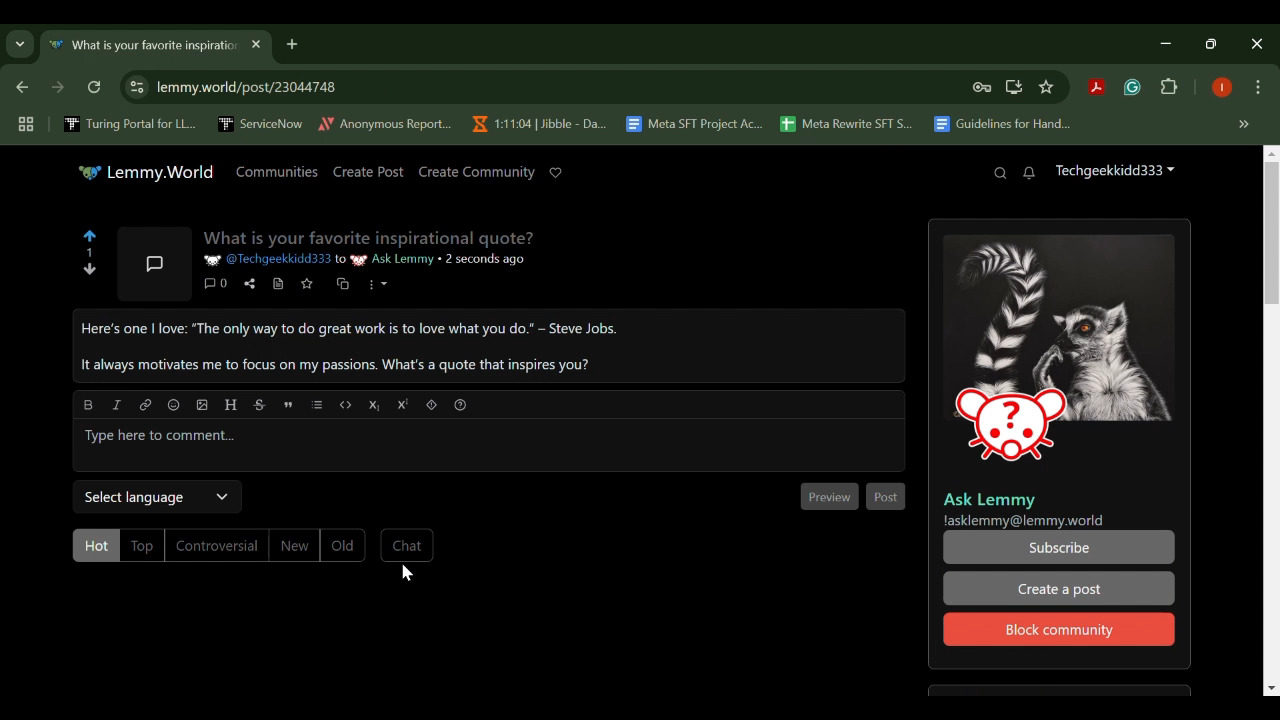 The image size is (1280, 720). What do you see at coordinates (1258, 44) in the screenshot?
I see `Close Window` at bounding box center [1258, 44].